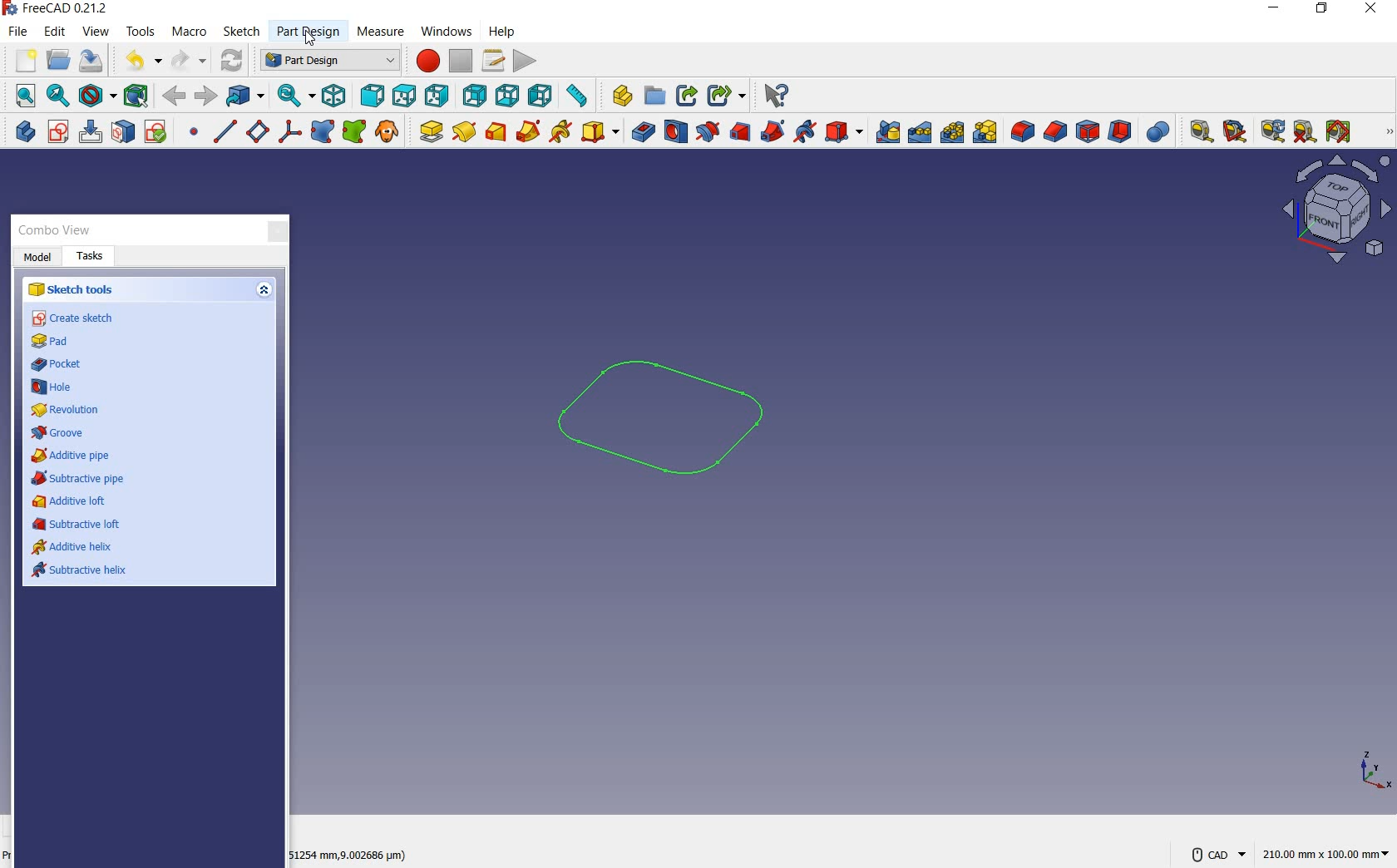  Describe the element at coordinates (1055, 131) in the screenshot. I see `chamfer` at that location.